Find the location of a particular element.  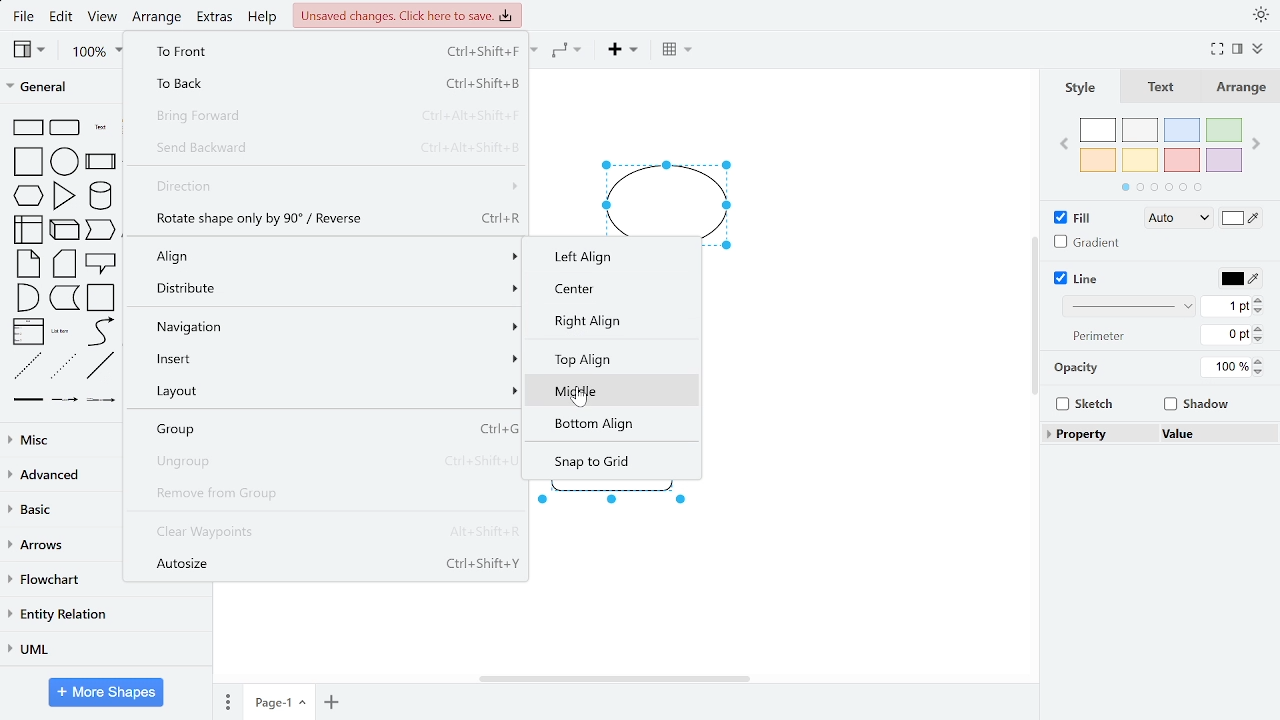

view is located at coordinates (30, 50).